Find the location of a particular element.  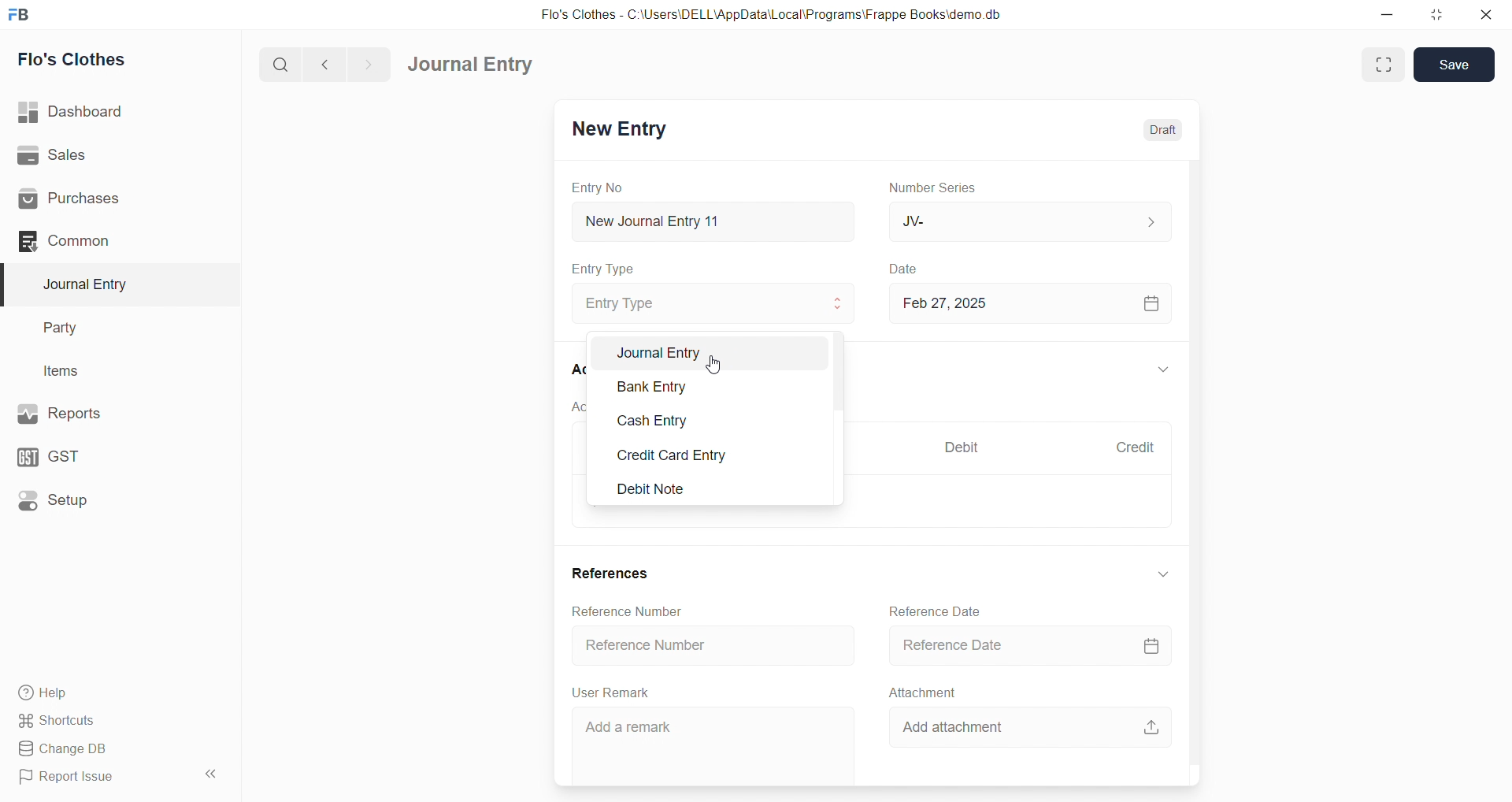

navigate backward is located at coordinates (327, 65).